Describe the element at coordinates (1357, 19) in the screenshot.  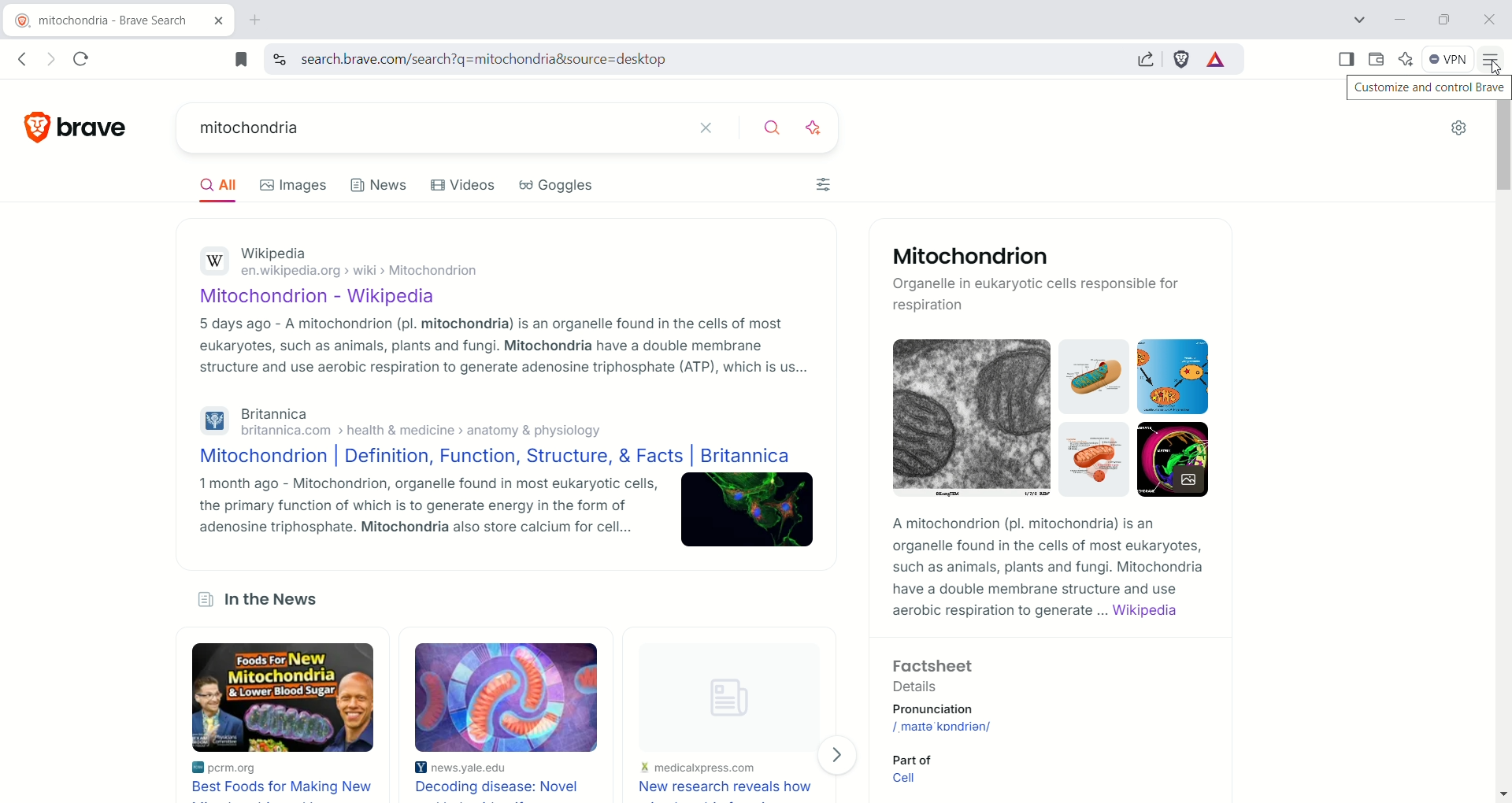
I see `search tab` at that location.